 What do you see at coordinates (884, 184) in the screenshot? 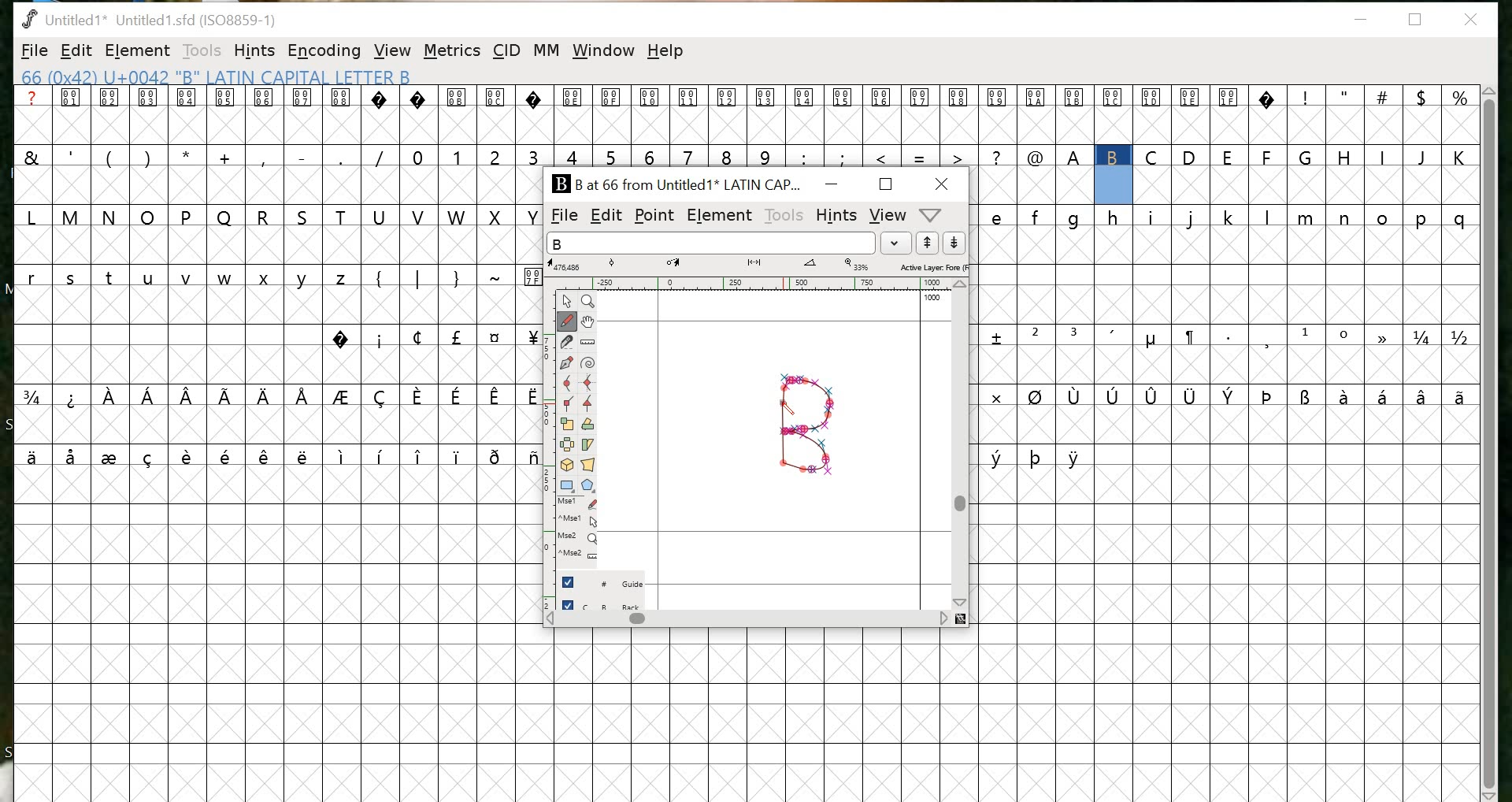
I see `maximize` at bounding box center [884, 184].